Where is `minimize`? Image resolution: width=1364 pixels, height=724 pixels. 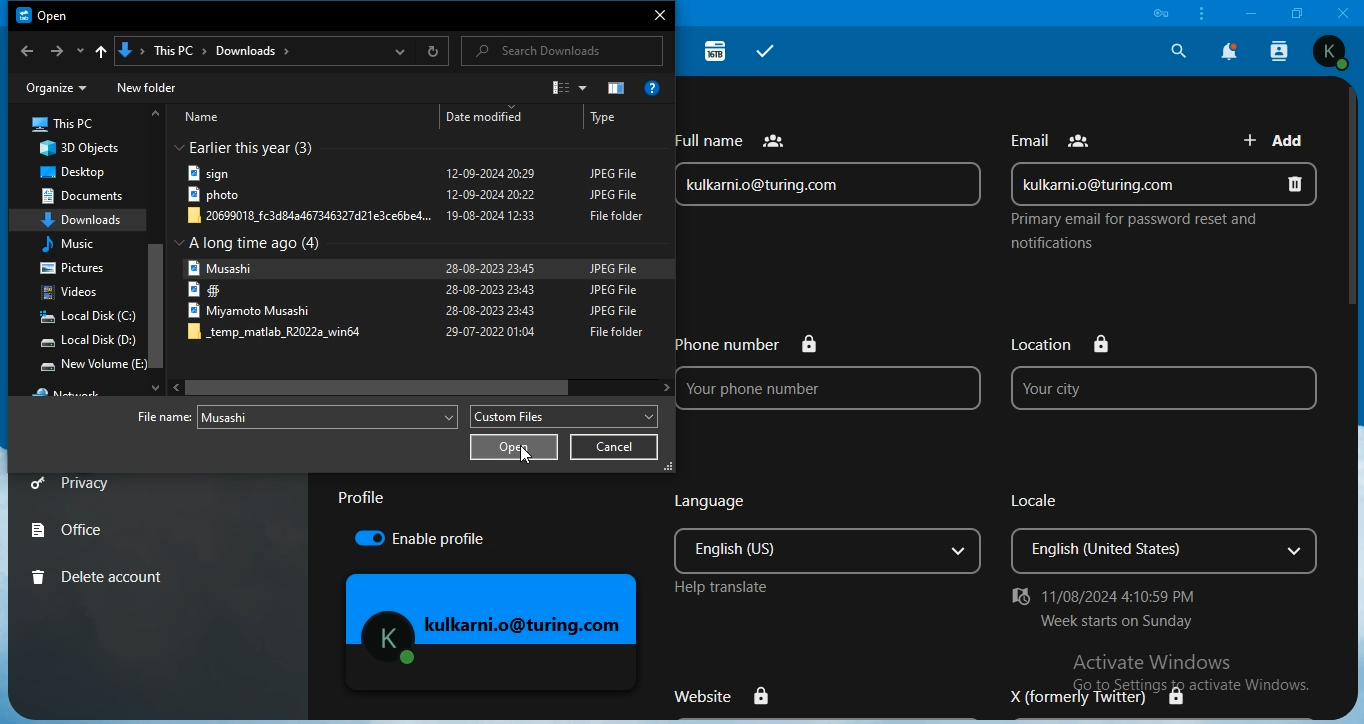
minimize is located at coordinates (1249, 13).